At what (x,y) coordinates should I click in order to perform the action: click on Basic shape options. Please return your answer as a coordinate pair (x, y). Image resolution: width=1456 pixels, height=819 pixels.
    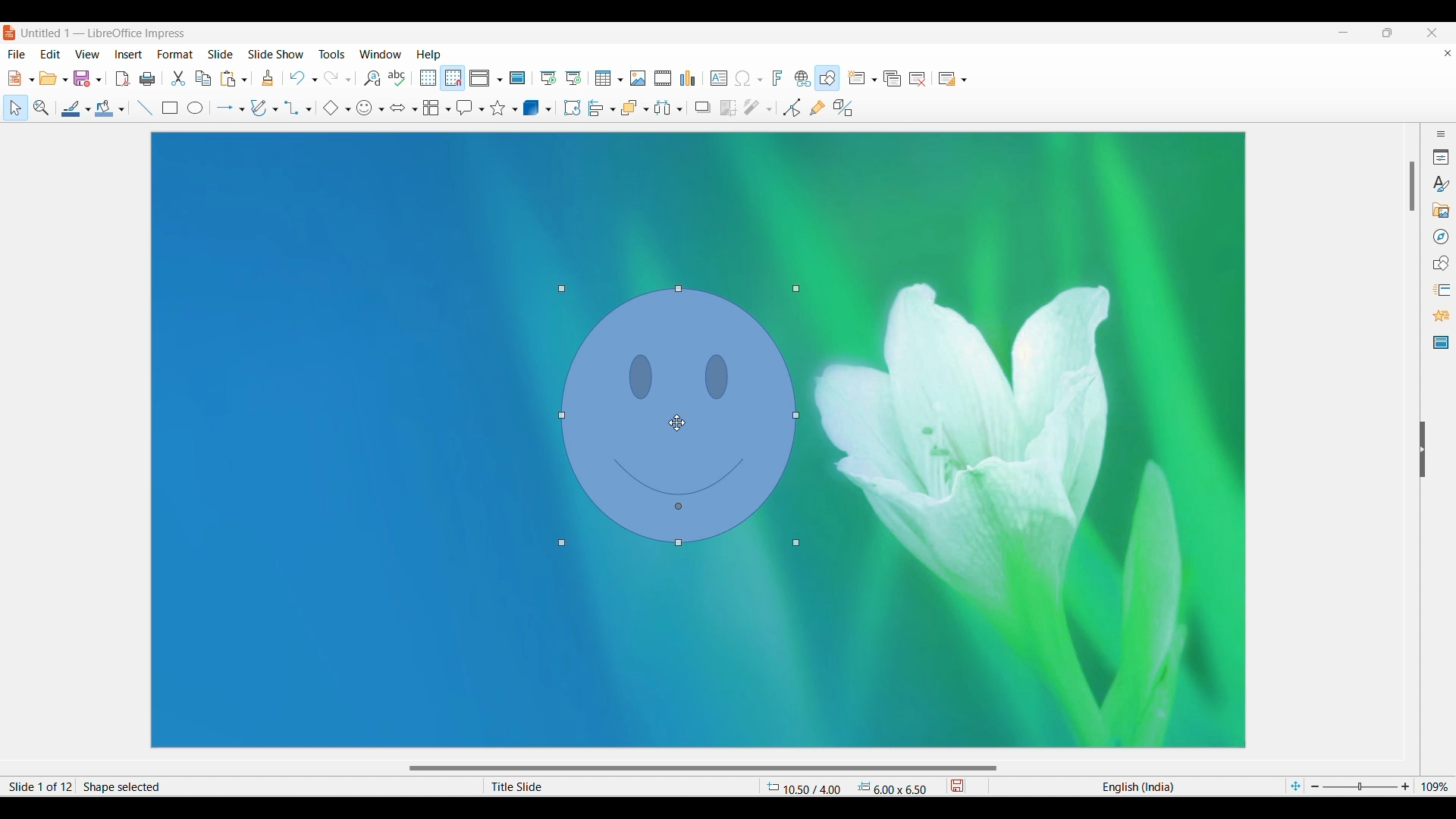
    Looking at the image, I should click on (348, 109).